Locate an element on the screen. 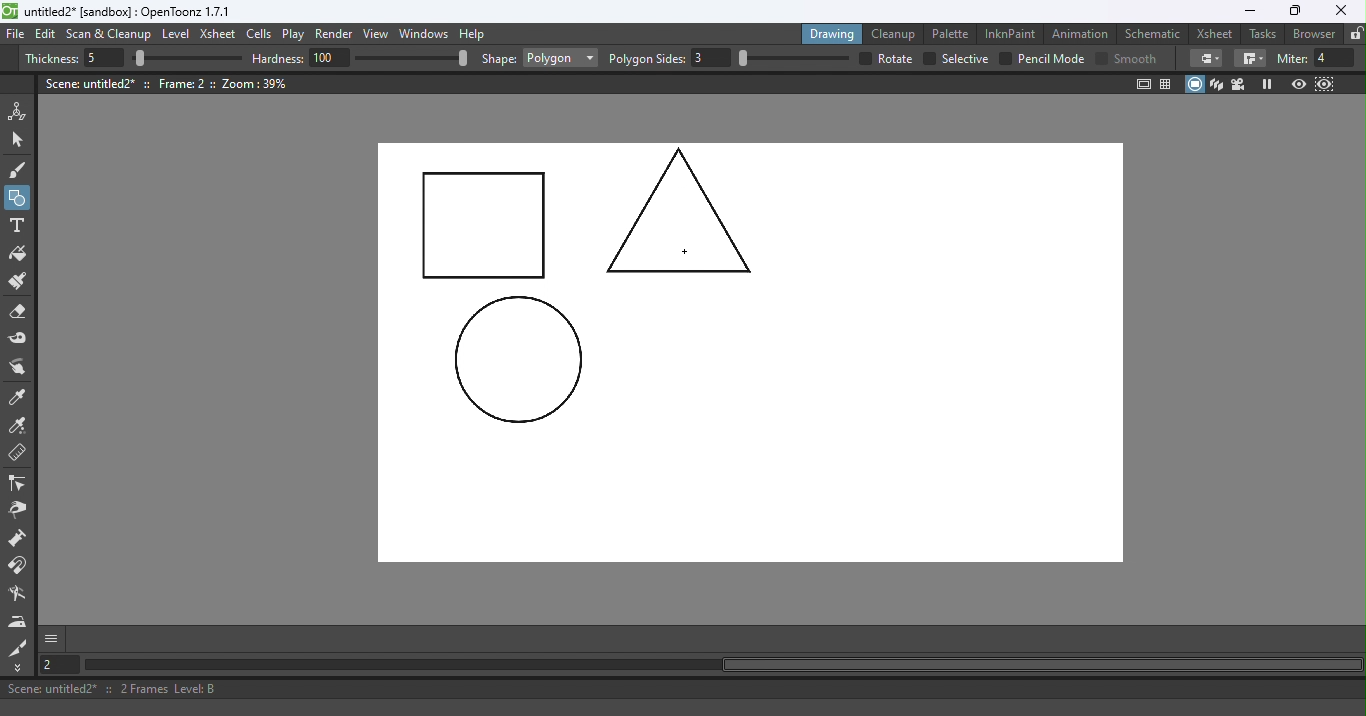 This screenshot has width=1366, height=716. Animation is located at coordinates (1083, 32).